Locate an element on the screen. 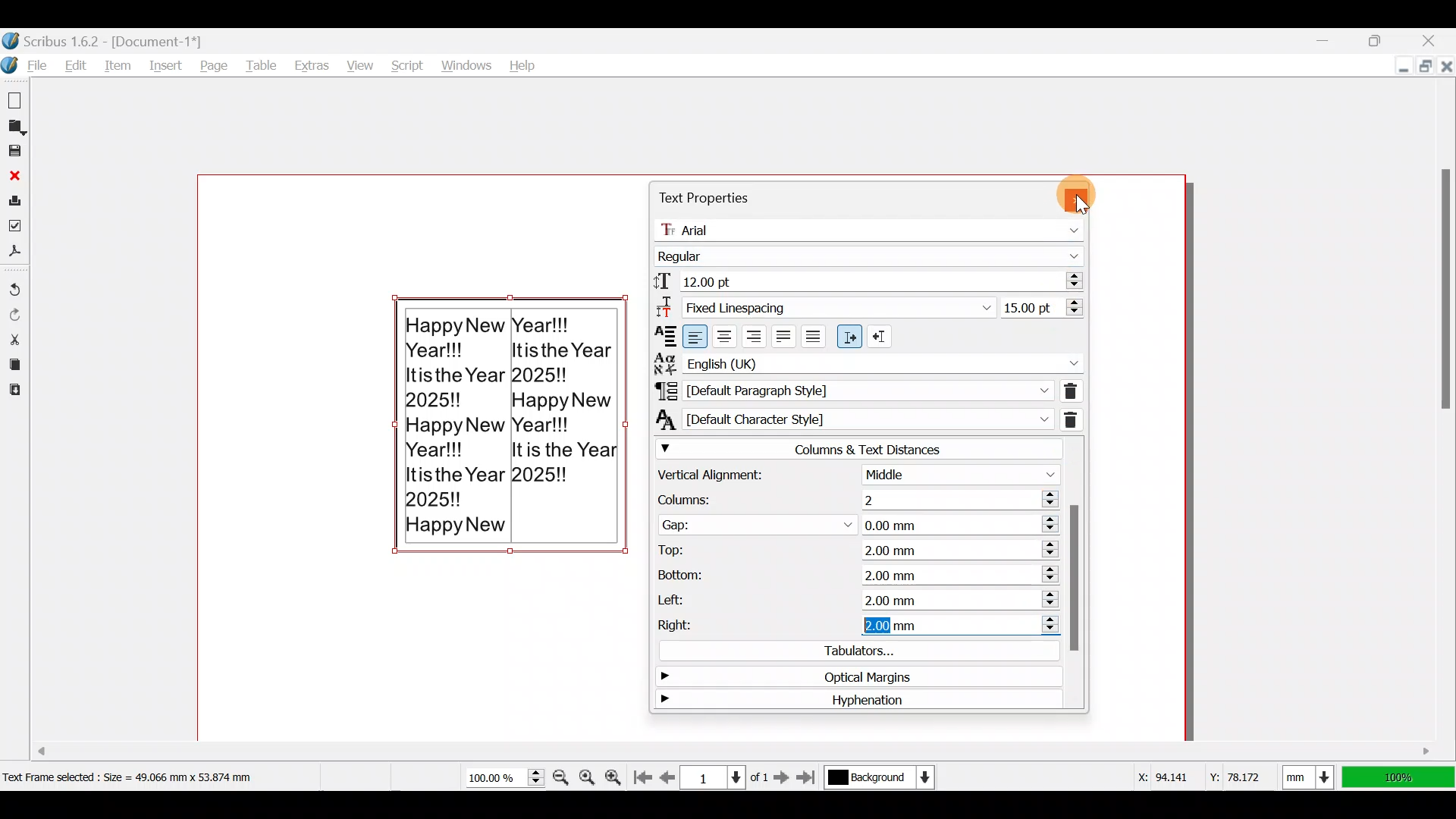 This screenshot has height=819, width=1456. Zoom out by the stepping value in tools preferences is located at coordinates (559, 773).